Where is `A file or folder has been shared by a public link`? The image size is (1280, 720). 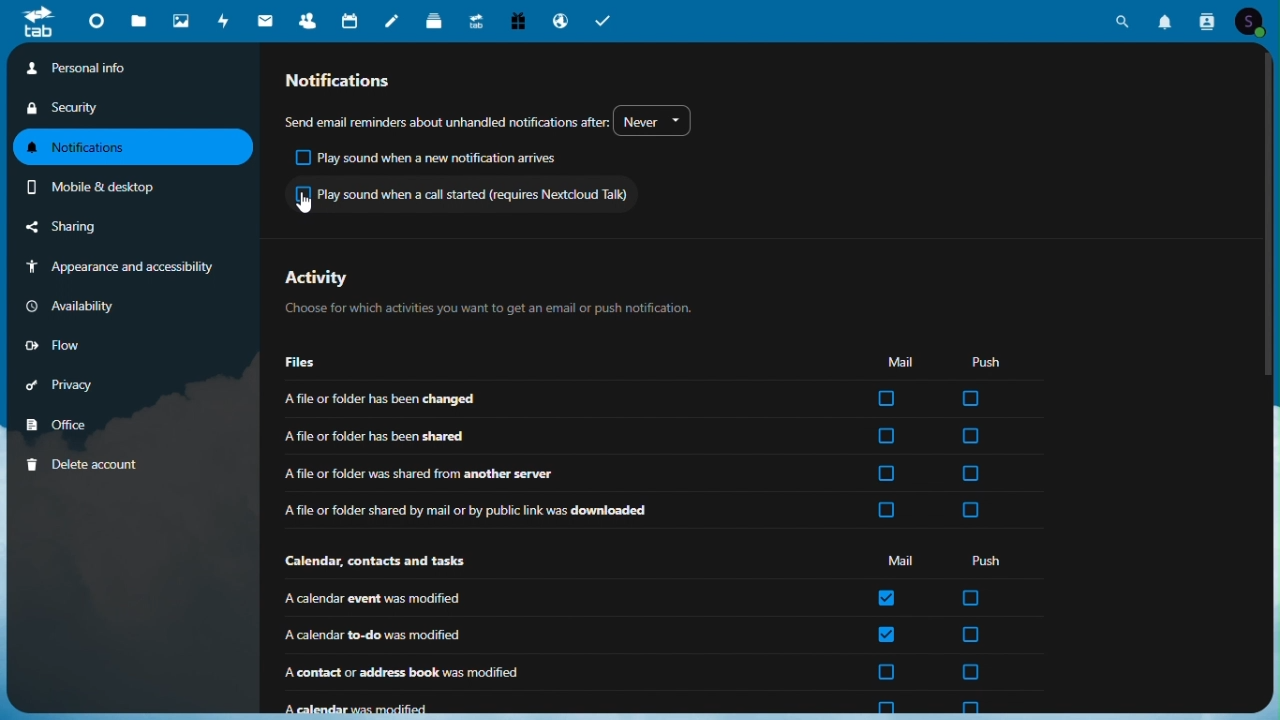 A file or folder has been shared by a public link is located at coordinates (558, 511).